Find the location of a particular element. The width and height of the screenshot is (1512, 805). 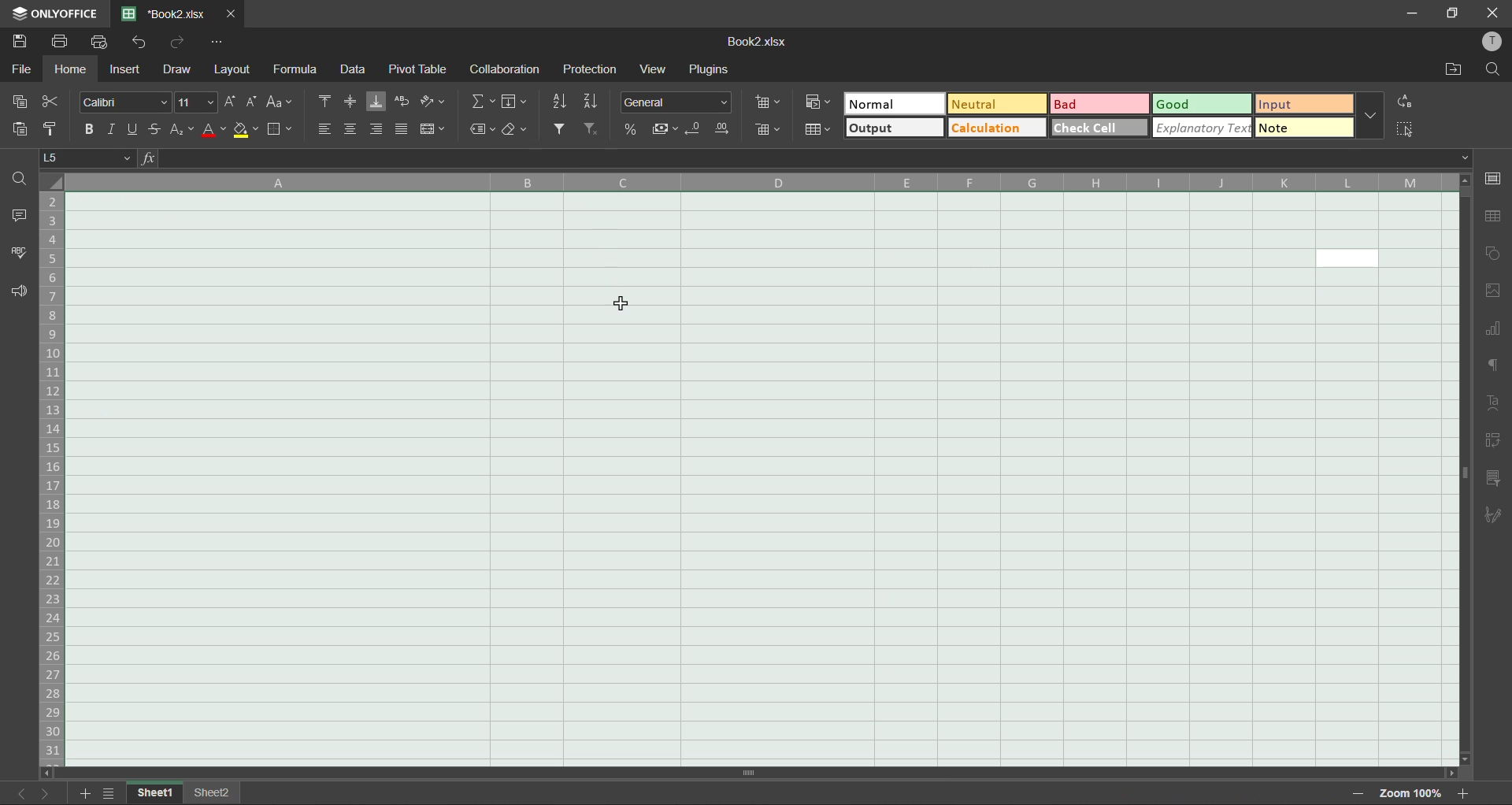

spellcheck is located at coordinates (16, 254).